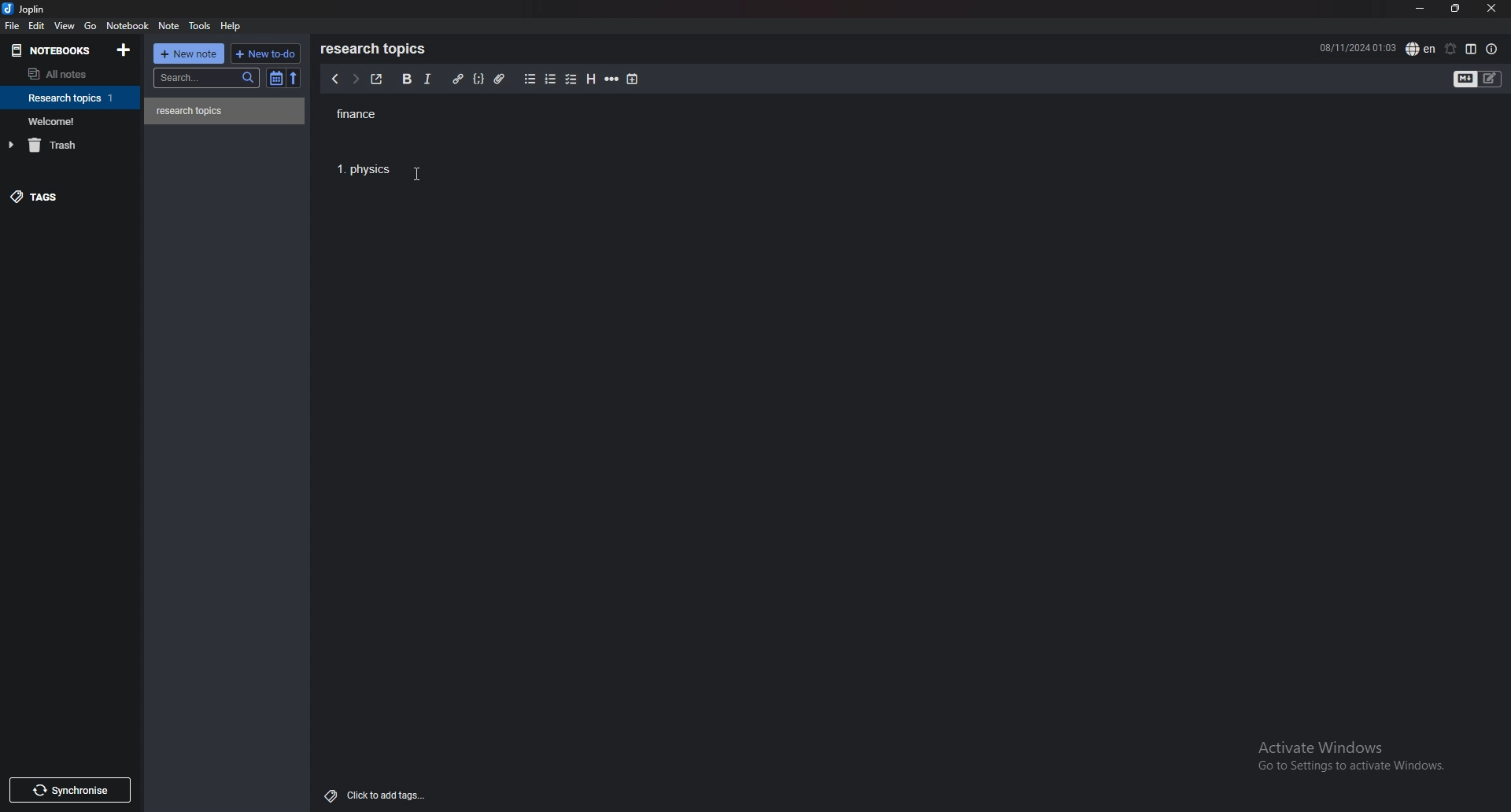 This screenshot has height=812, width=1511. Describe the element at coordinates (1491, 9) in the screenshot. I see `close` at that location.